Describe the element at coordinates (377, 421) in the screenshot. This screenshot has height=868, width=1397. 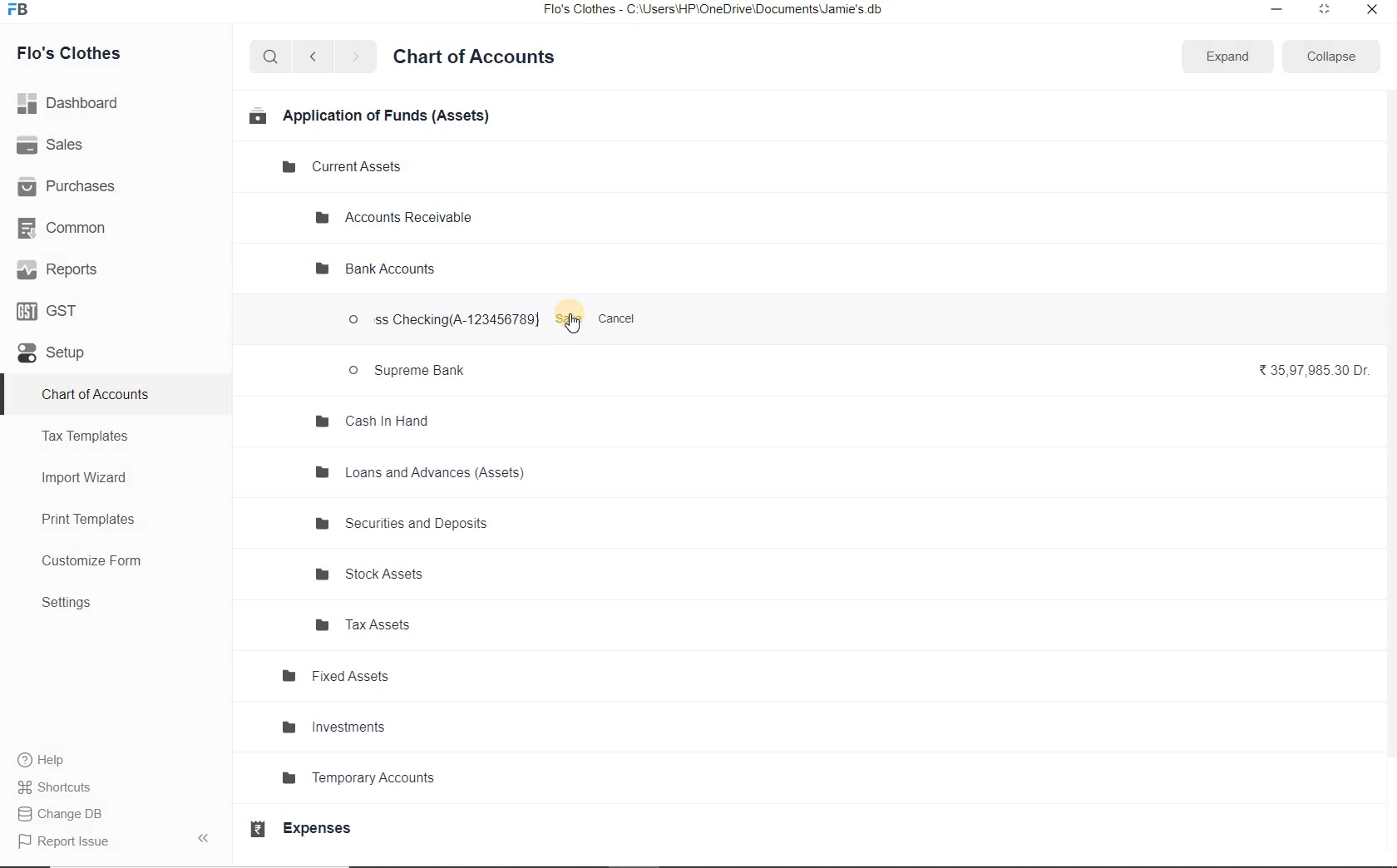
I see `Cash In Hand` at that location.